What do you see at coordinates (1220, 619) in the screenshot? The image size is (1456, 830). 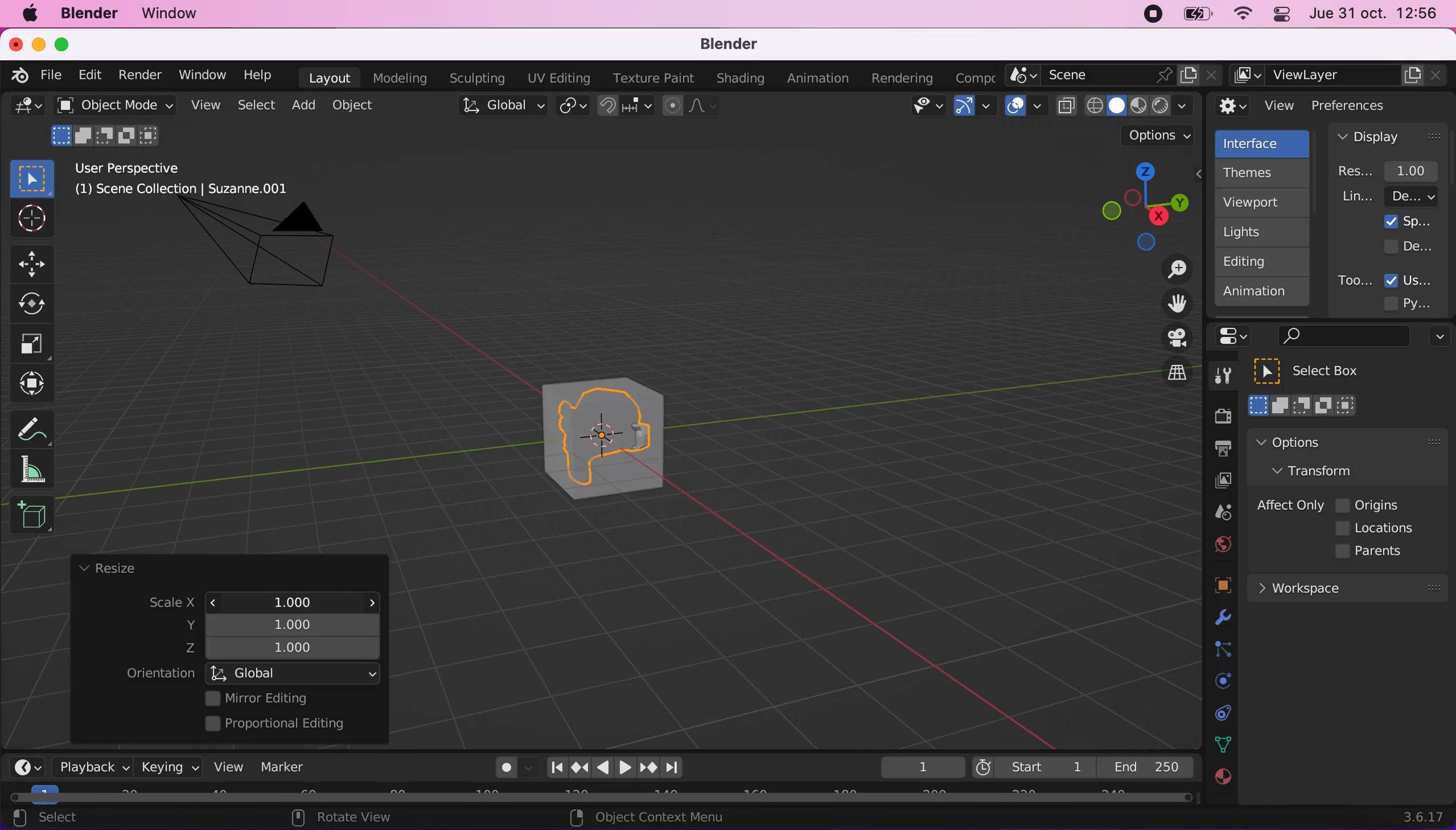 I see `physics` at bounding box center [1220, 619].